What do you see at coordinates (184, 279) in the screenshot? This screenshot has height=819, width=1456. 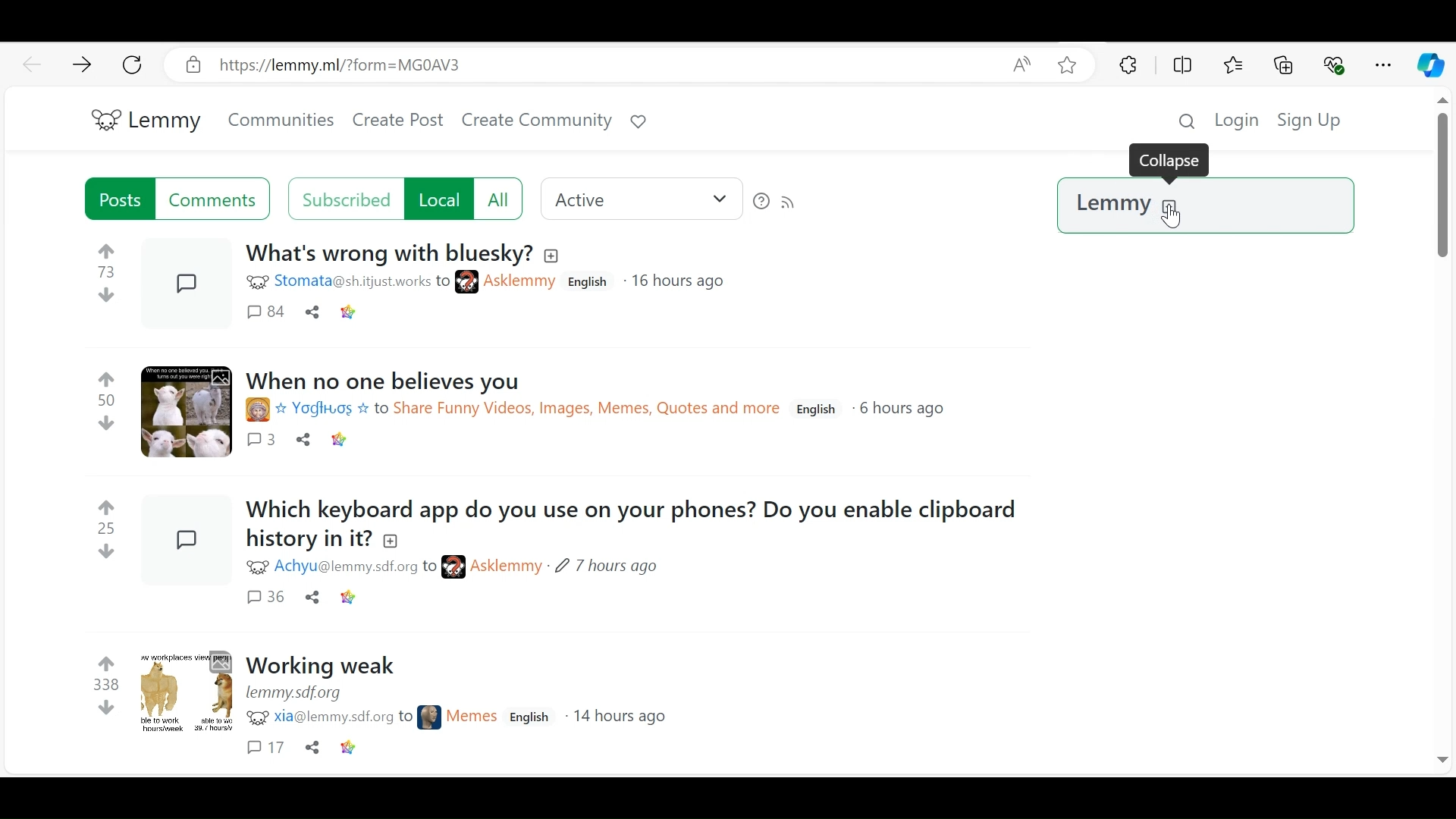 I see `Post` at bounding box center [184, 279].